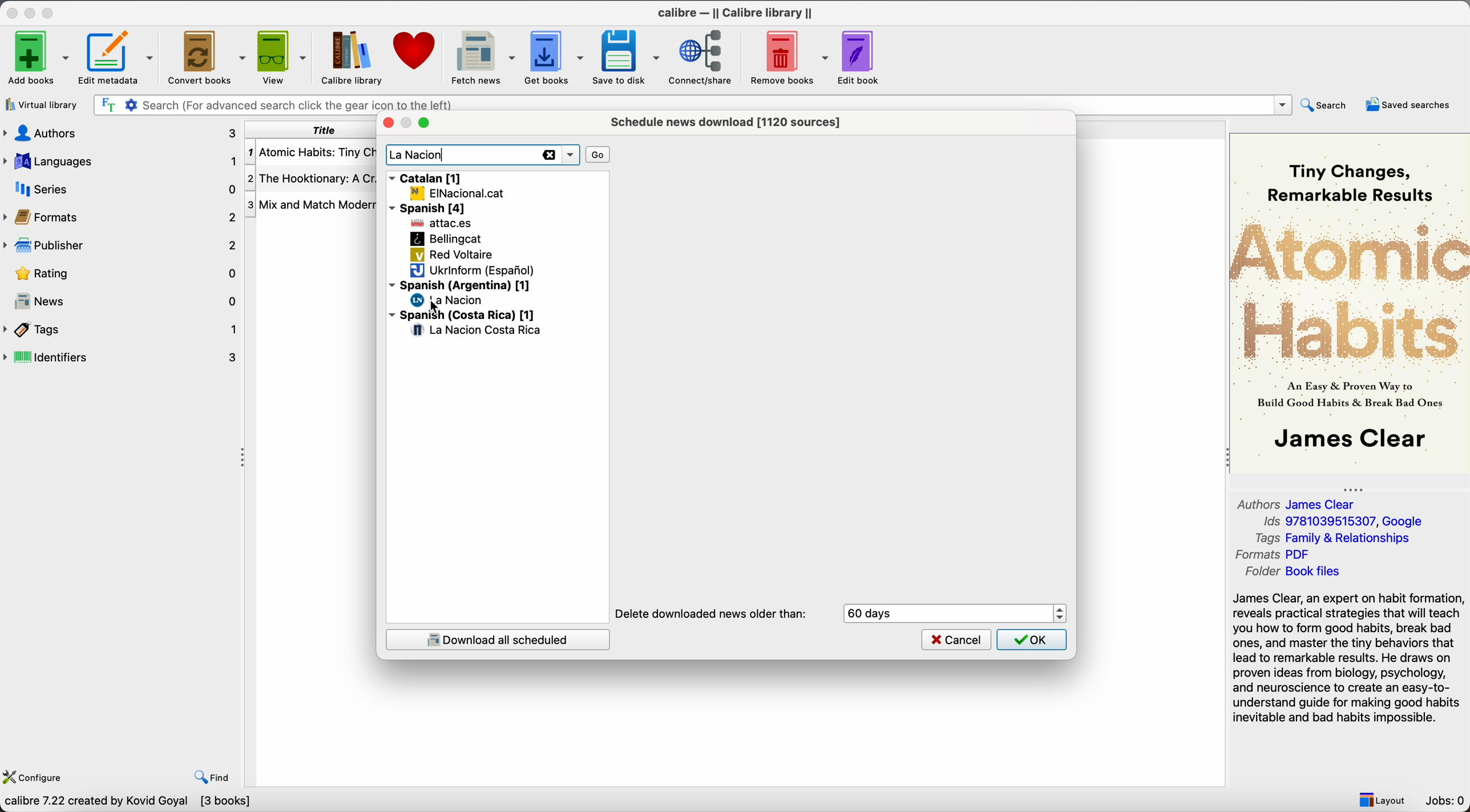 The height and width of the screenshot is (812, 1470). Describe the element at coordinates (431, 305) in the screenshot. I see `cursor` at that location.